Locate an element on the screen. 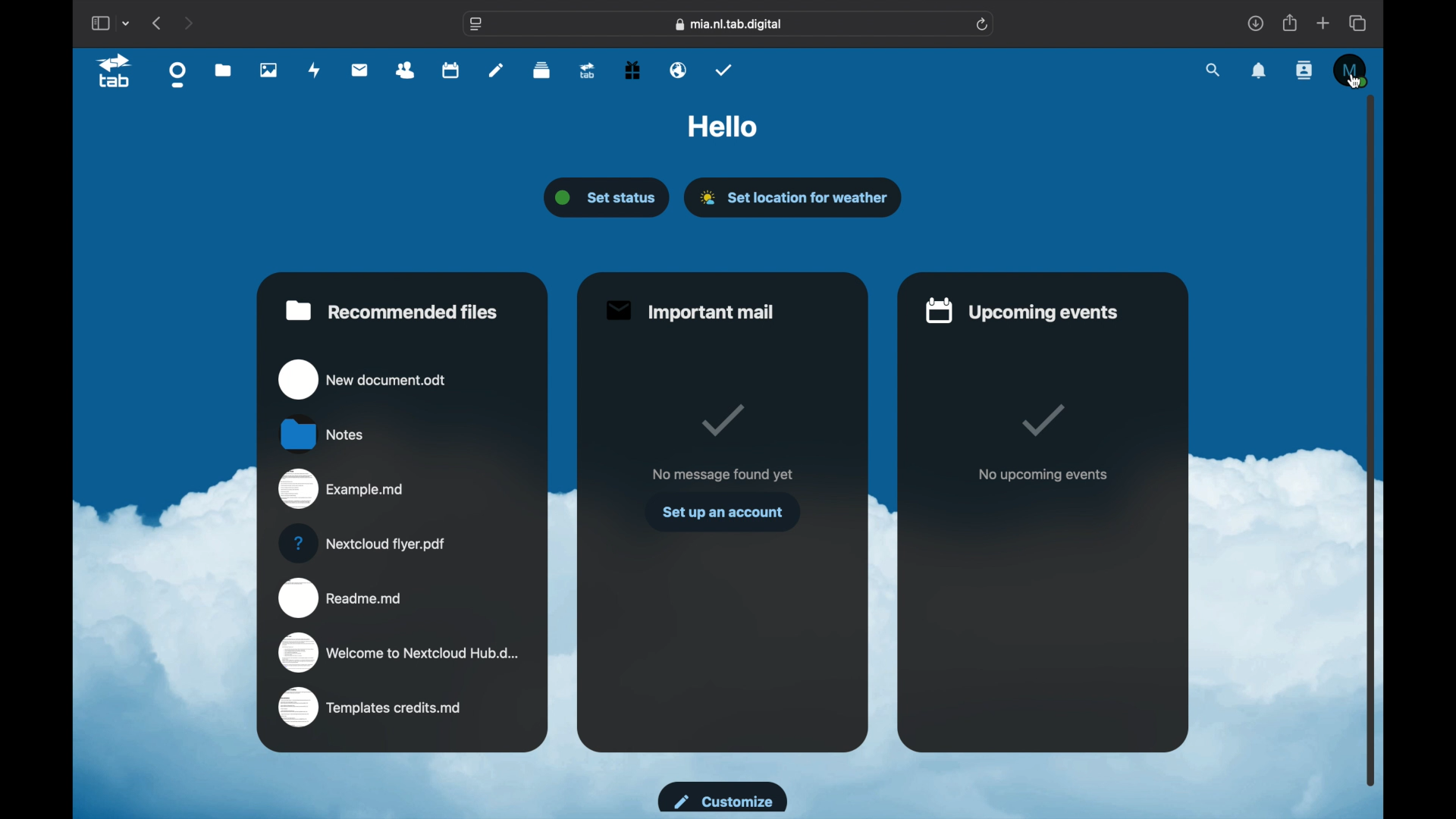 Image resolution: width=1456 pixels, height=819 pixels. calendar is located at coordinates (452, 71).